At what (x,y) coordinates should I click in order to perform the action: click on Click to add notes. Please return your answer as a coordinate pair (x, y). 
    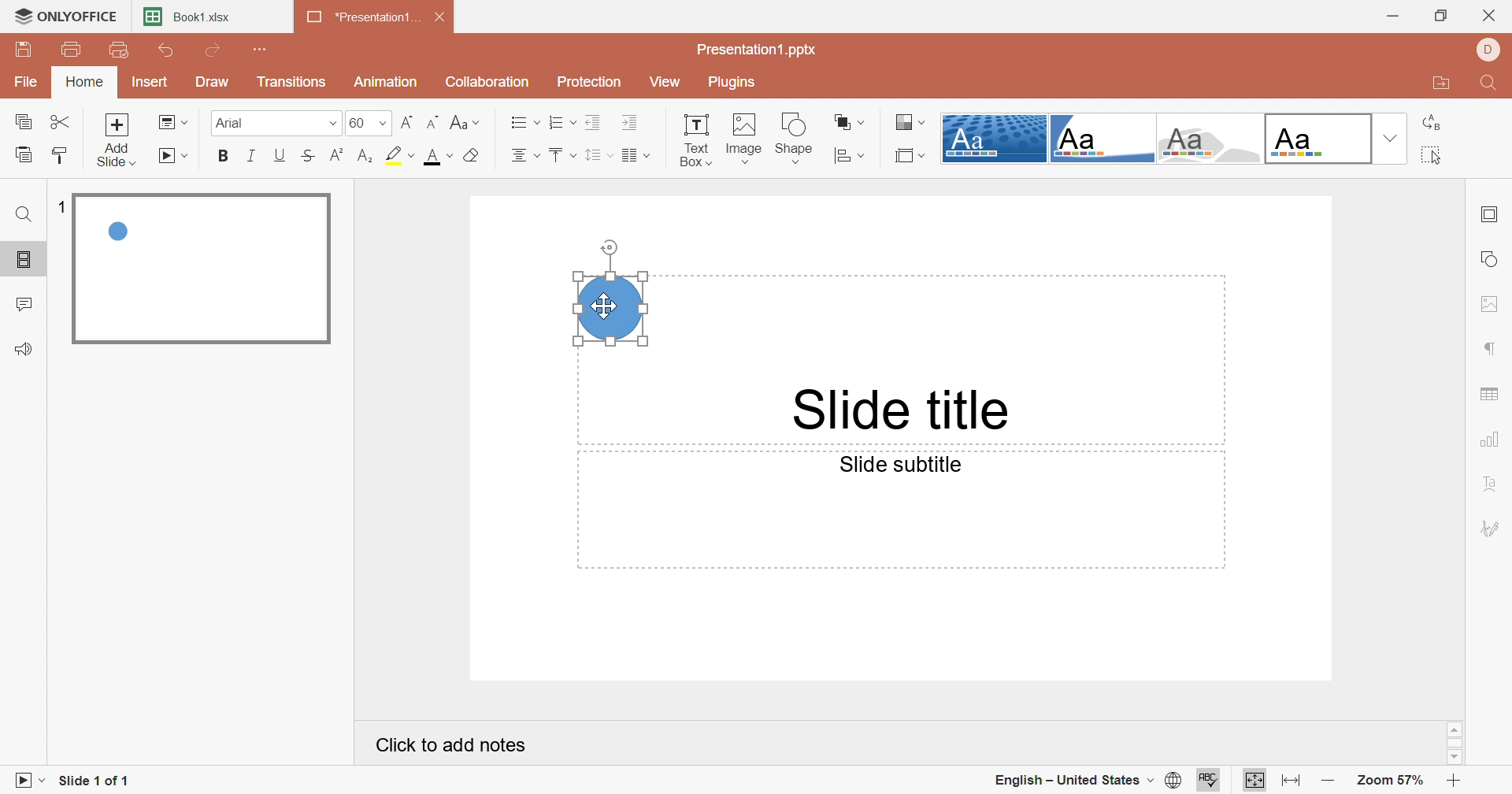
    Looking at the image, I should click on (454, 744).